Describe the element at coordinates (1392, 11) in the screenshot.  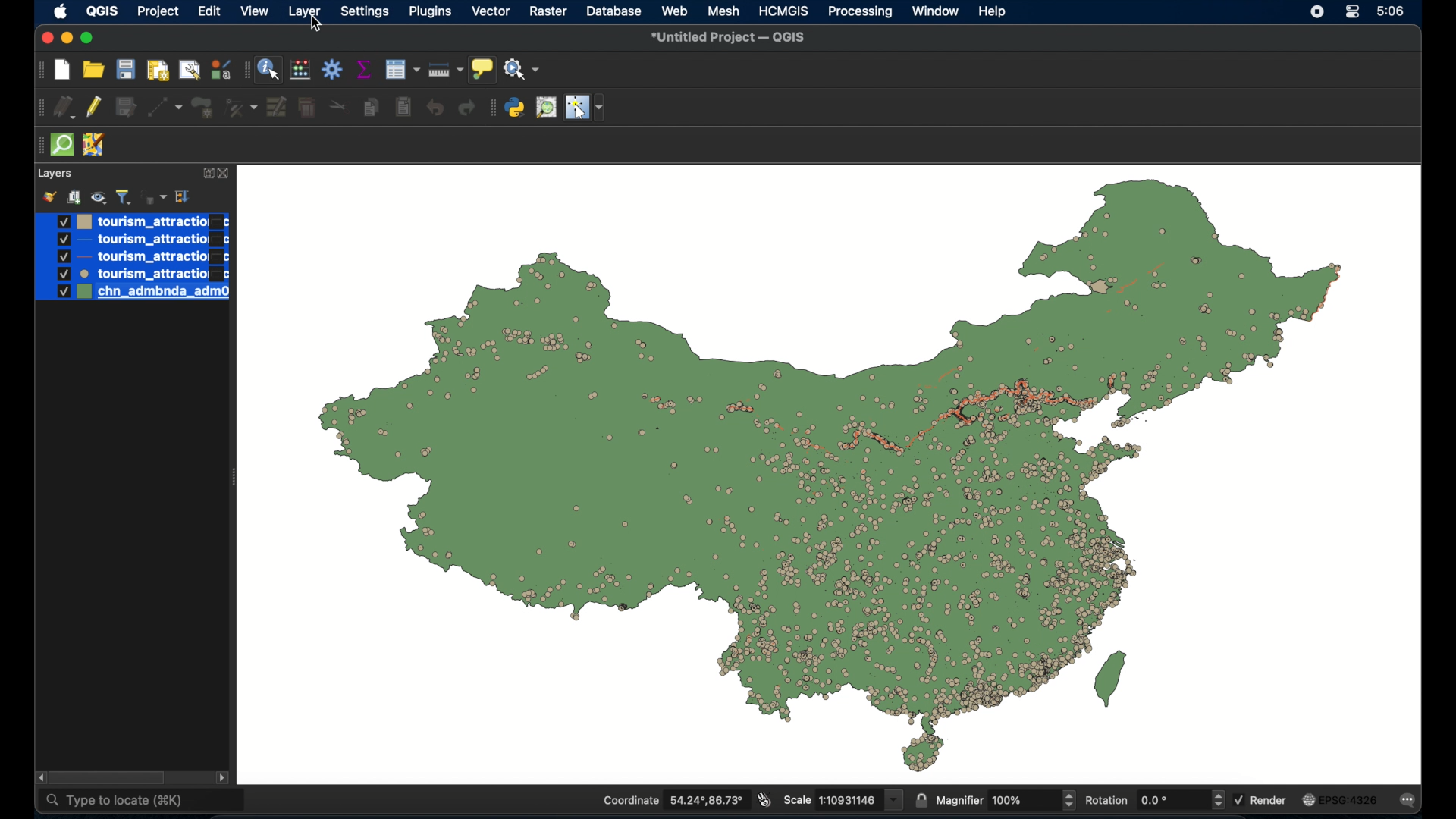
I see `time` at that location.